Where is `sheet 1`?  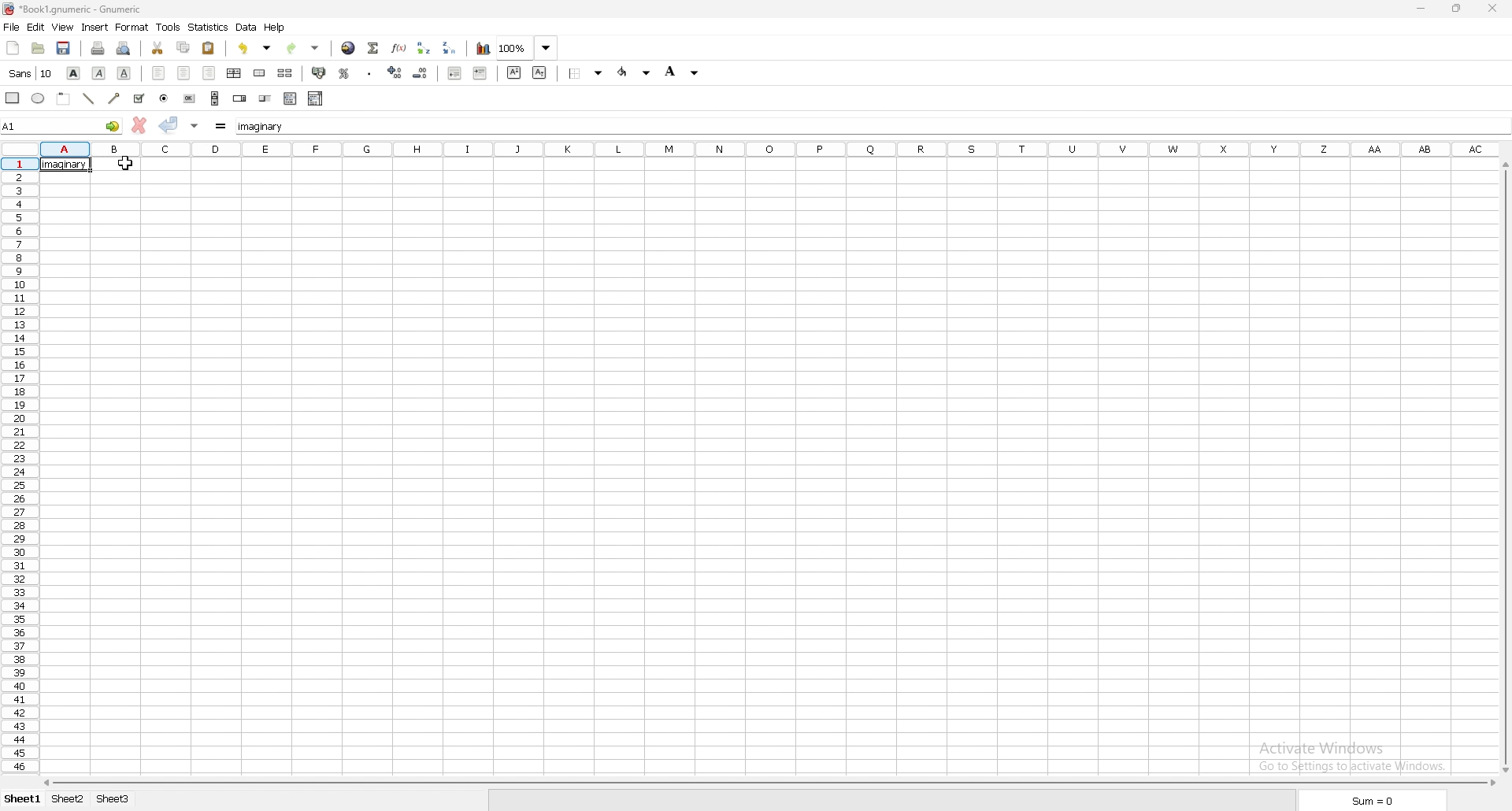
sheet 1 is located at coordinates (23, 801).